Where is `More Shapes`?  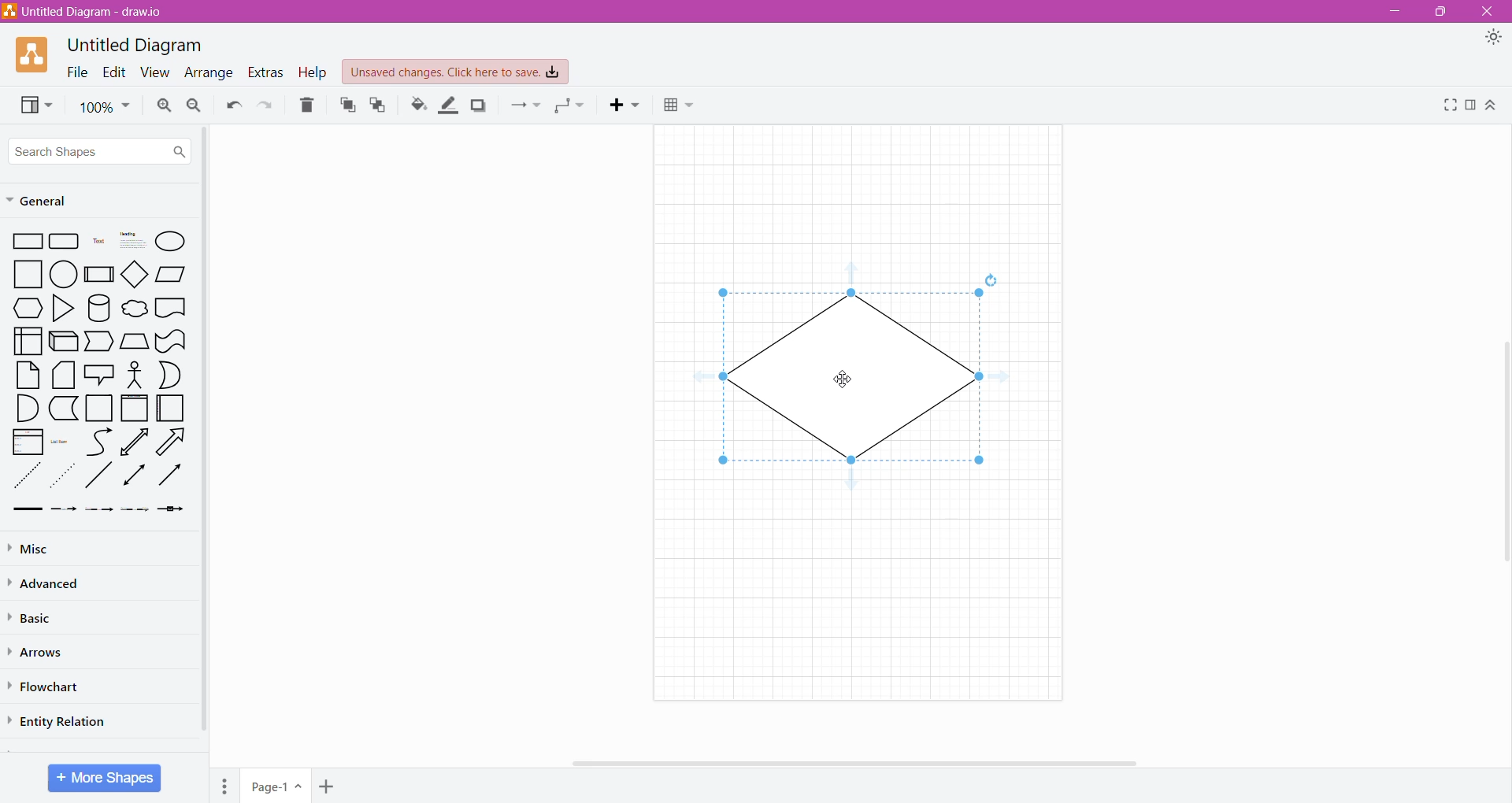 More Shapes is located at coordinates (105, 778).